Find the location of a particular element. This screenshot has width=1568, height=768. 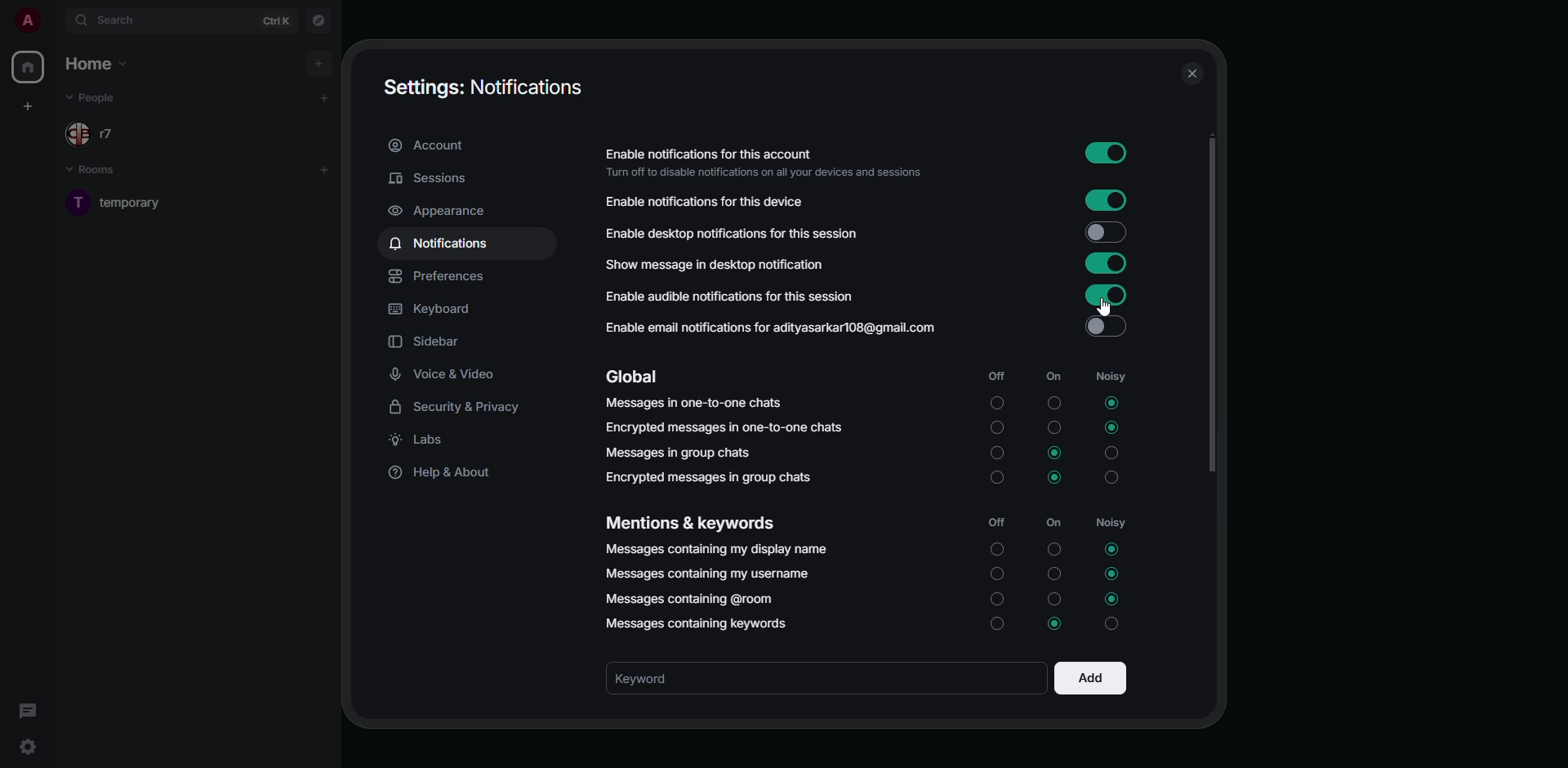

global is located at coordinates (633, 377).